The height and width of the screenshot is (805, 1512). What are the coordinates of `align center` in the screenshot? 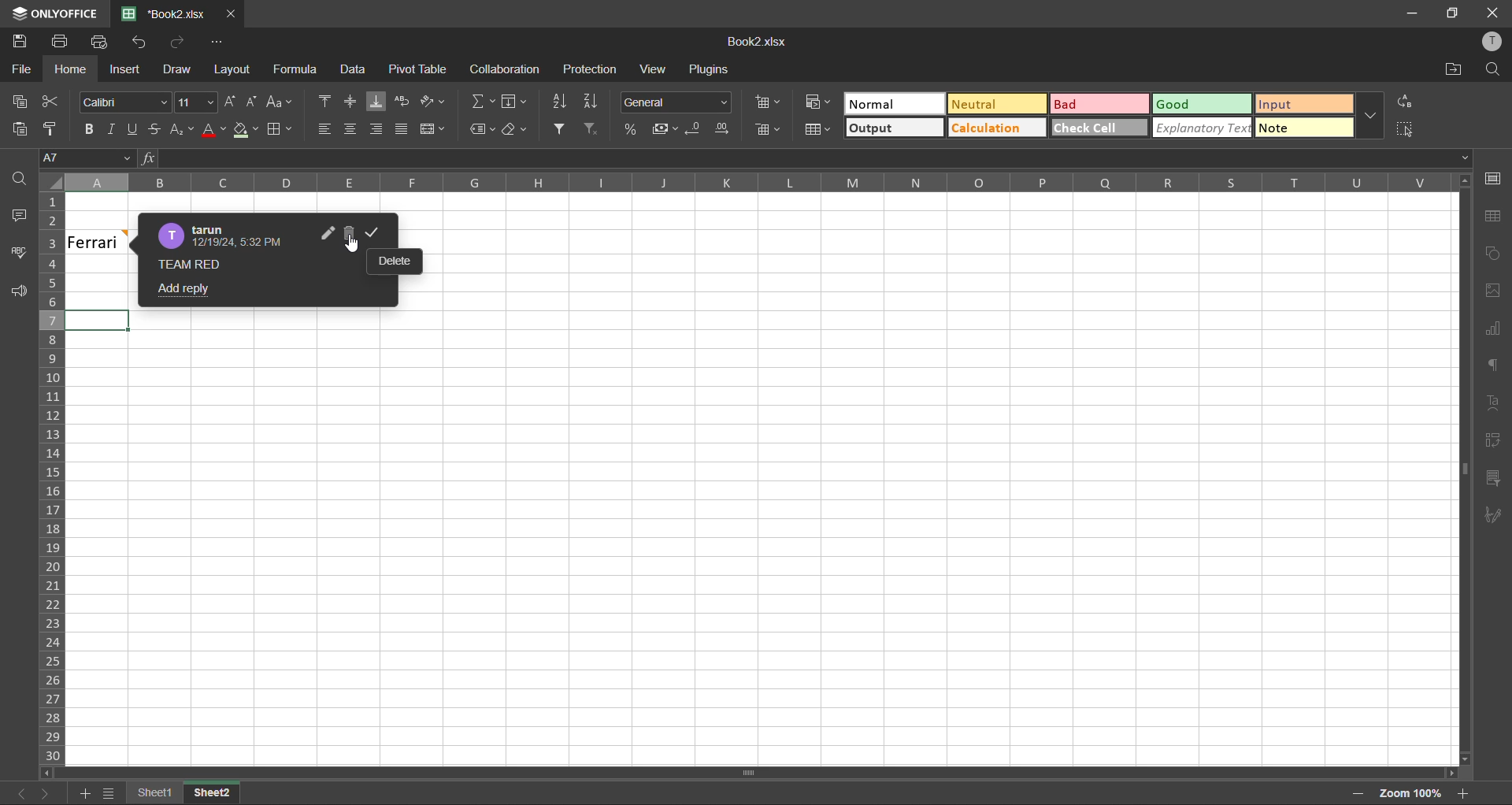 It's located at (351, 128).